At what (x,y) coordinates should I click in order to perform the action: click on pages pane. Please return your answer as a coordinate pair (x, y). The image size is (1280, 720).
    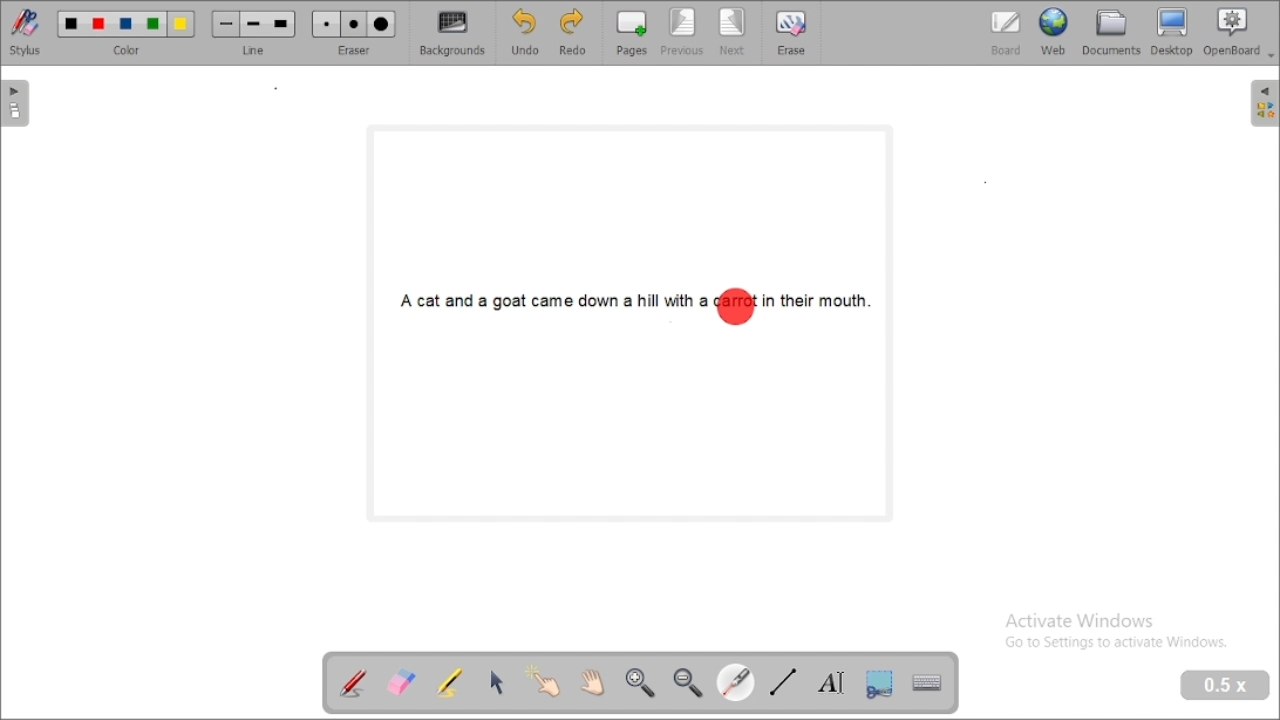
    Looking at the image, I should click on (18, 103).